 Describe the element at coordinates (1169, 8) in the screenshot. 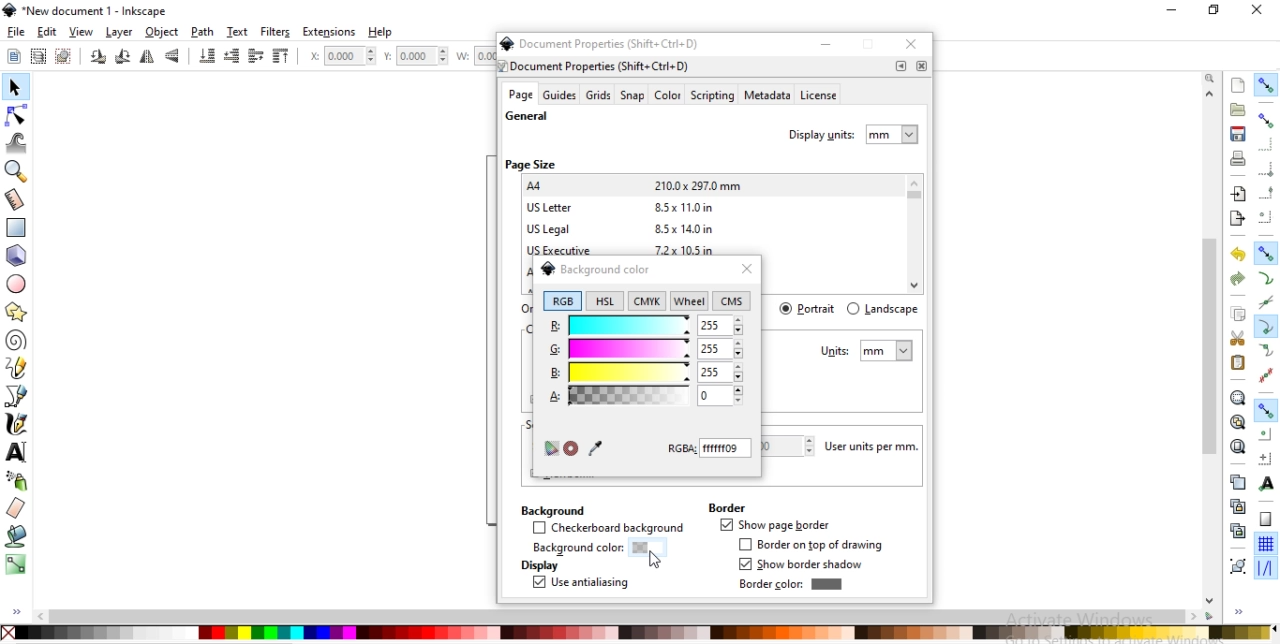

I see `minimize` at that location.